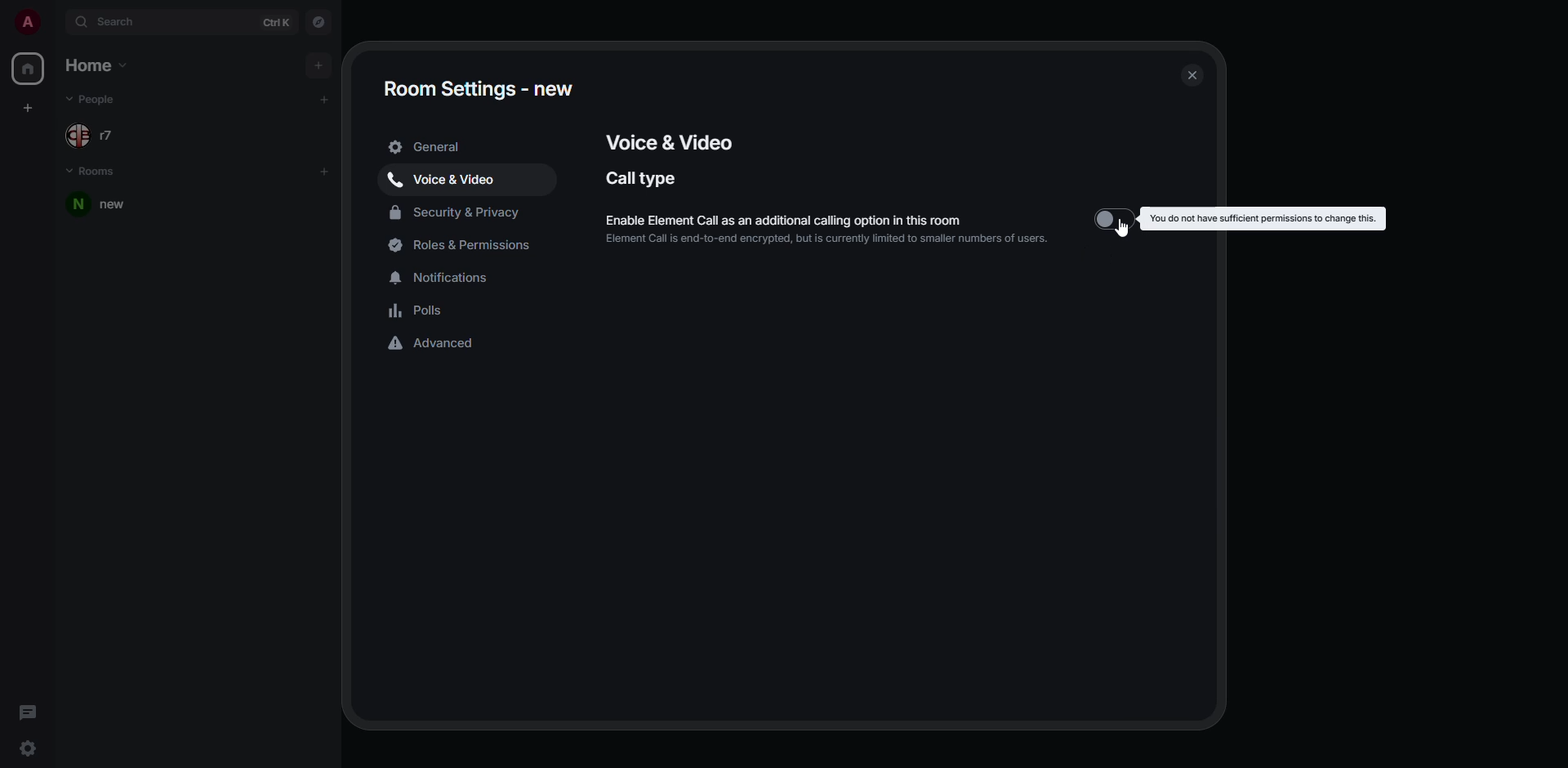  I want to click on people, so click(99, 134).